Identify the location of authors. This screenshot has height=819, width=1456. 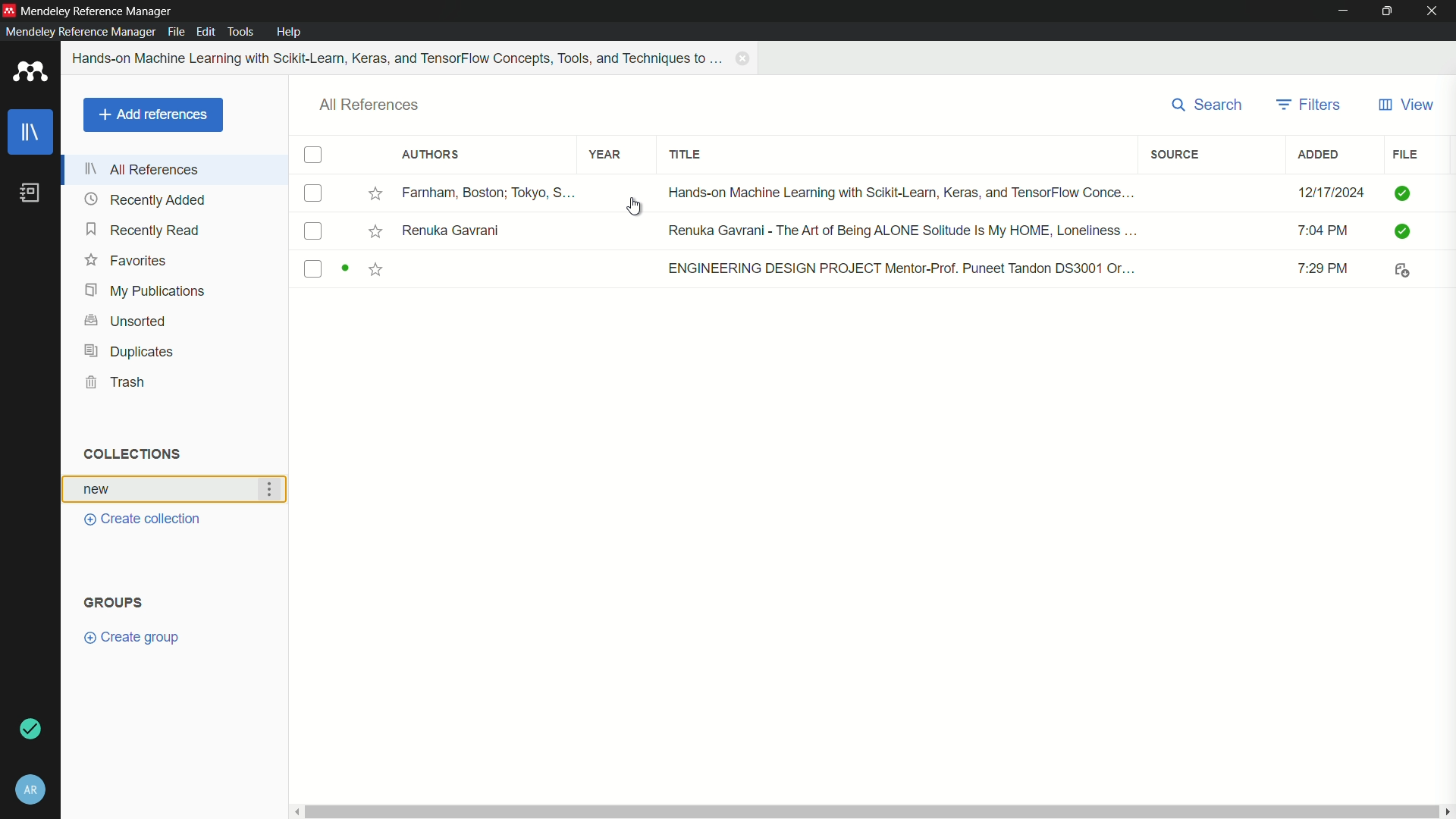
(429, 155).